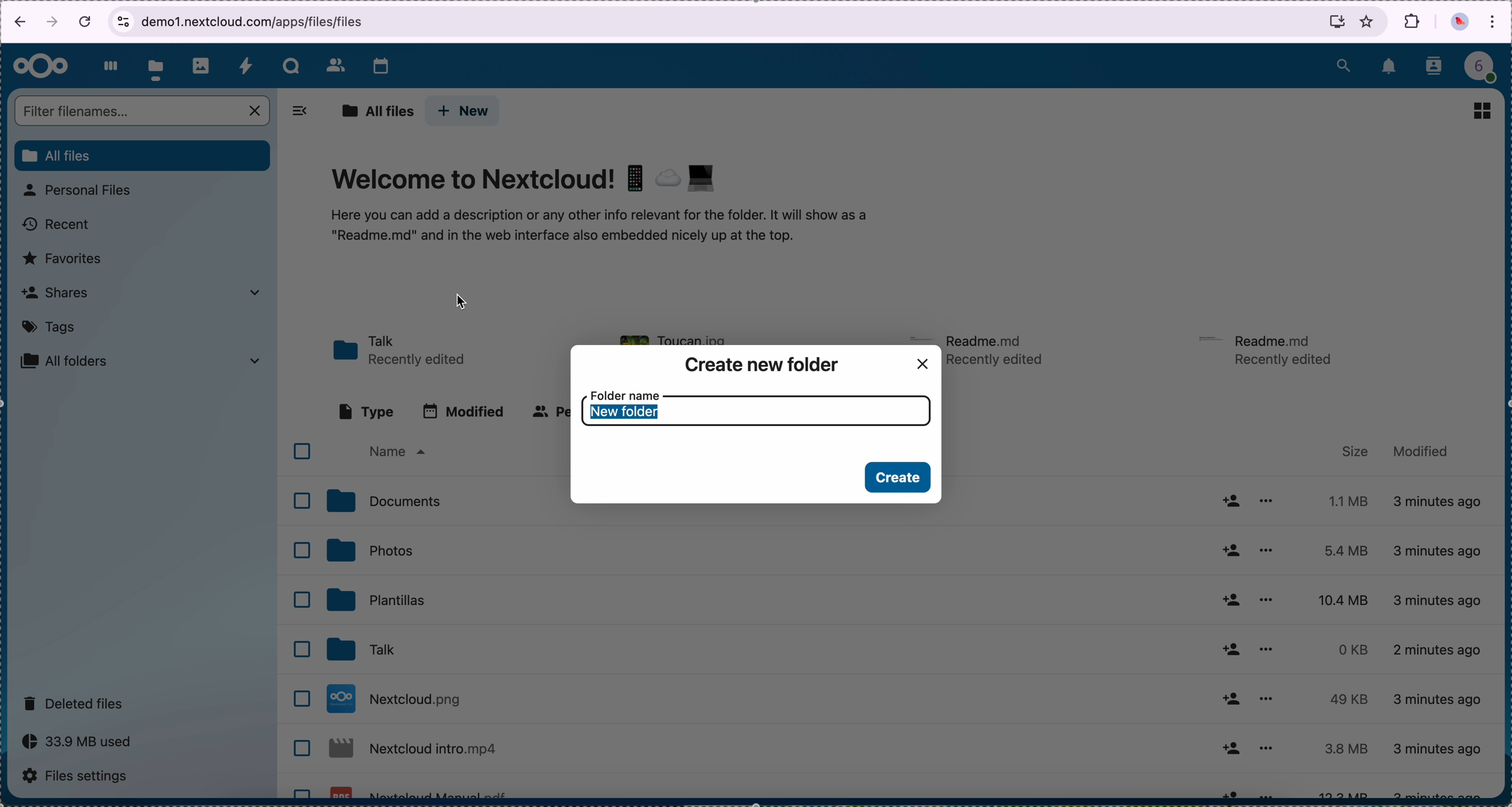 The image size is (1512, 807). What do you see at coordinates (758, 411) in the screenshot?
I see `folder name` at bounding box center [758, 411].